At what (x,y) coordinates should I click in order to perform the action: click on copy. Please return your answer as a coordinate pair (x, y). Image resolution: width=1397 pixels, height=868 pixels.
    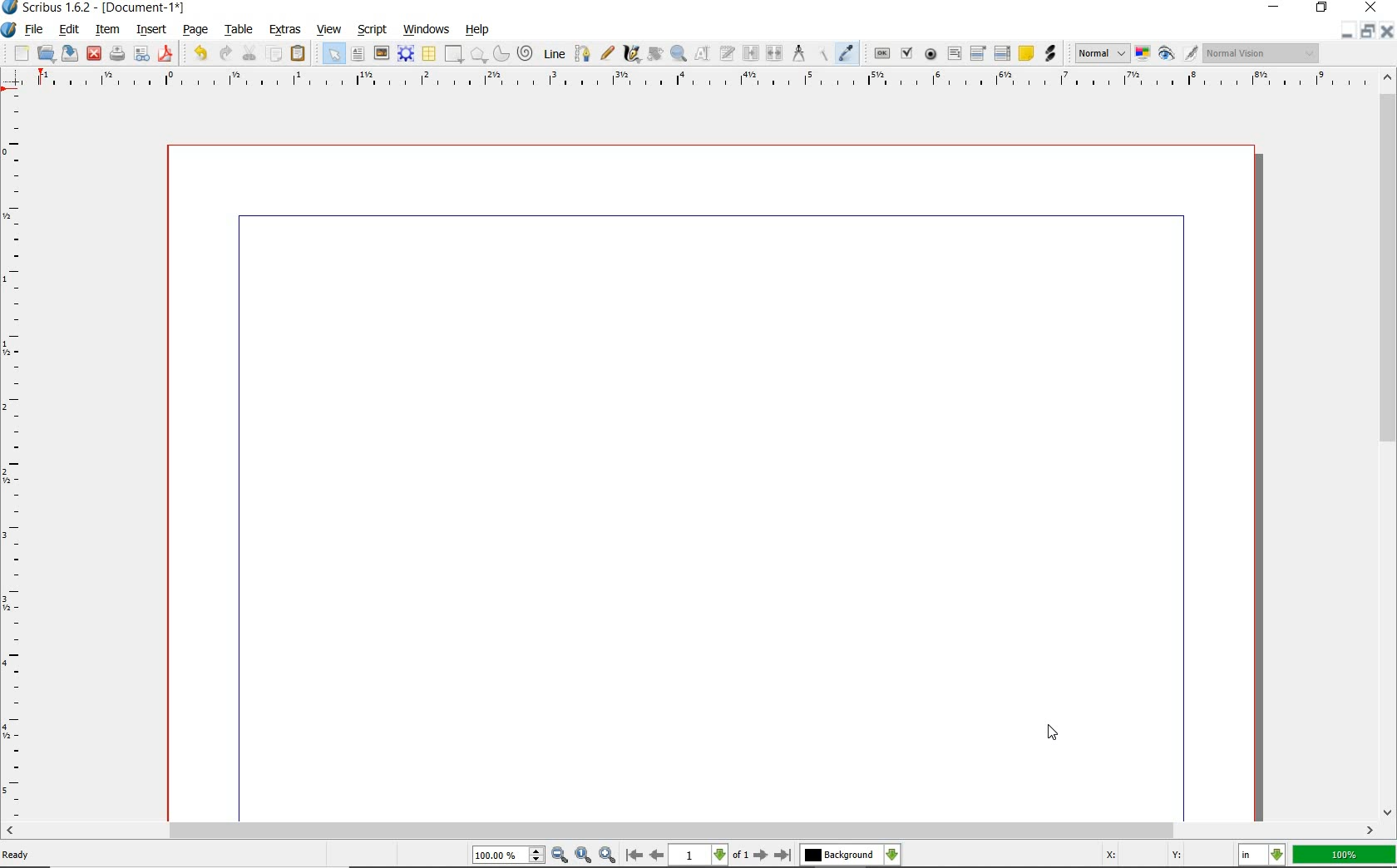
    Looking at the image, I should click on (274, 54).